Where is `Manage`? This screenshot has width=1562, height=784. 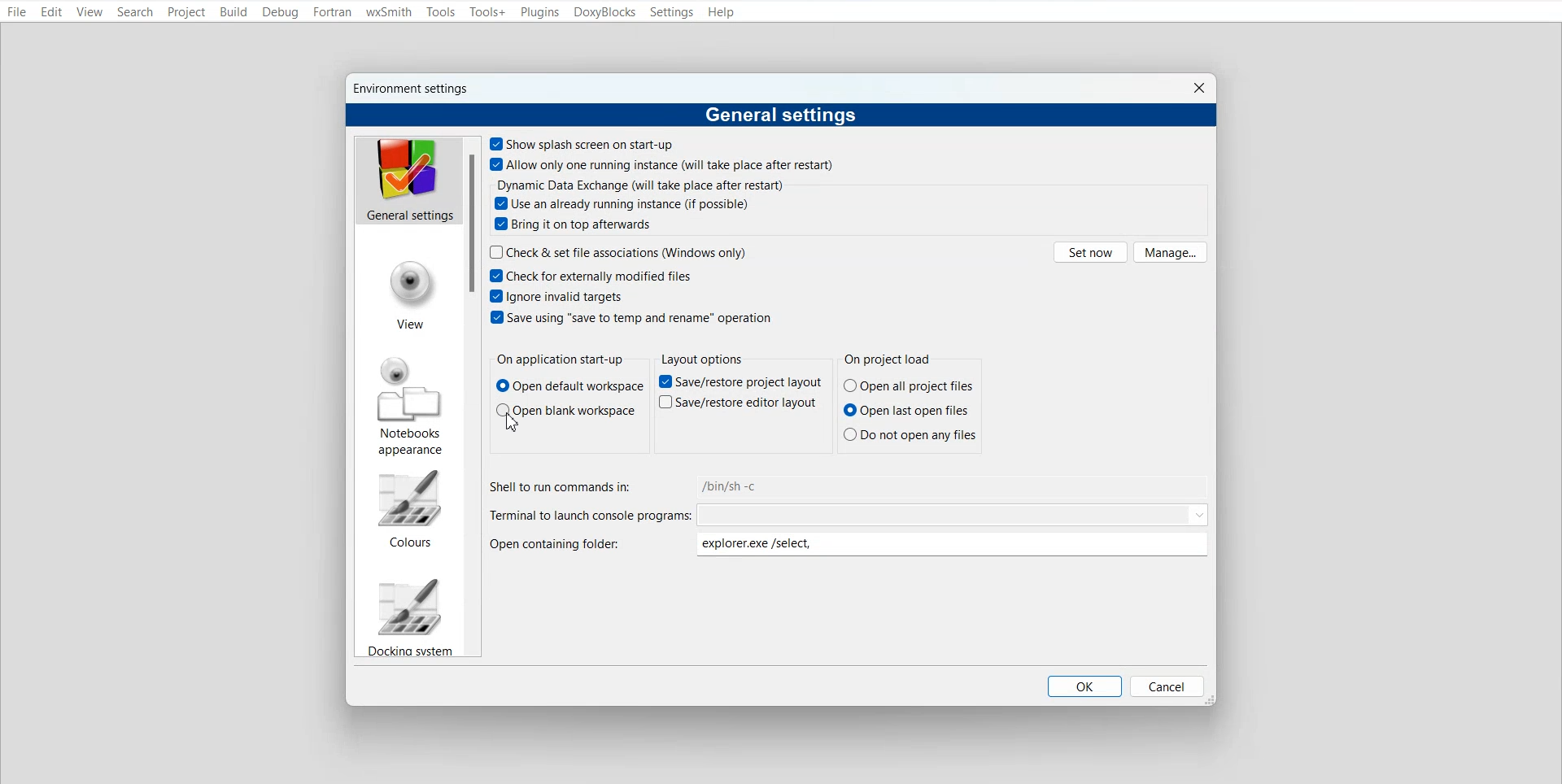
Manage is located at coordinates (1171, 252).